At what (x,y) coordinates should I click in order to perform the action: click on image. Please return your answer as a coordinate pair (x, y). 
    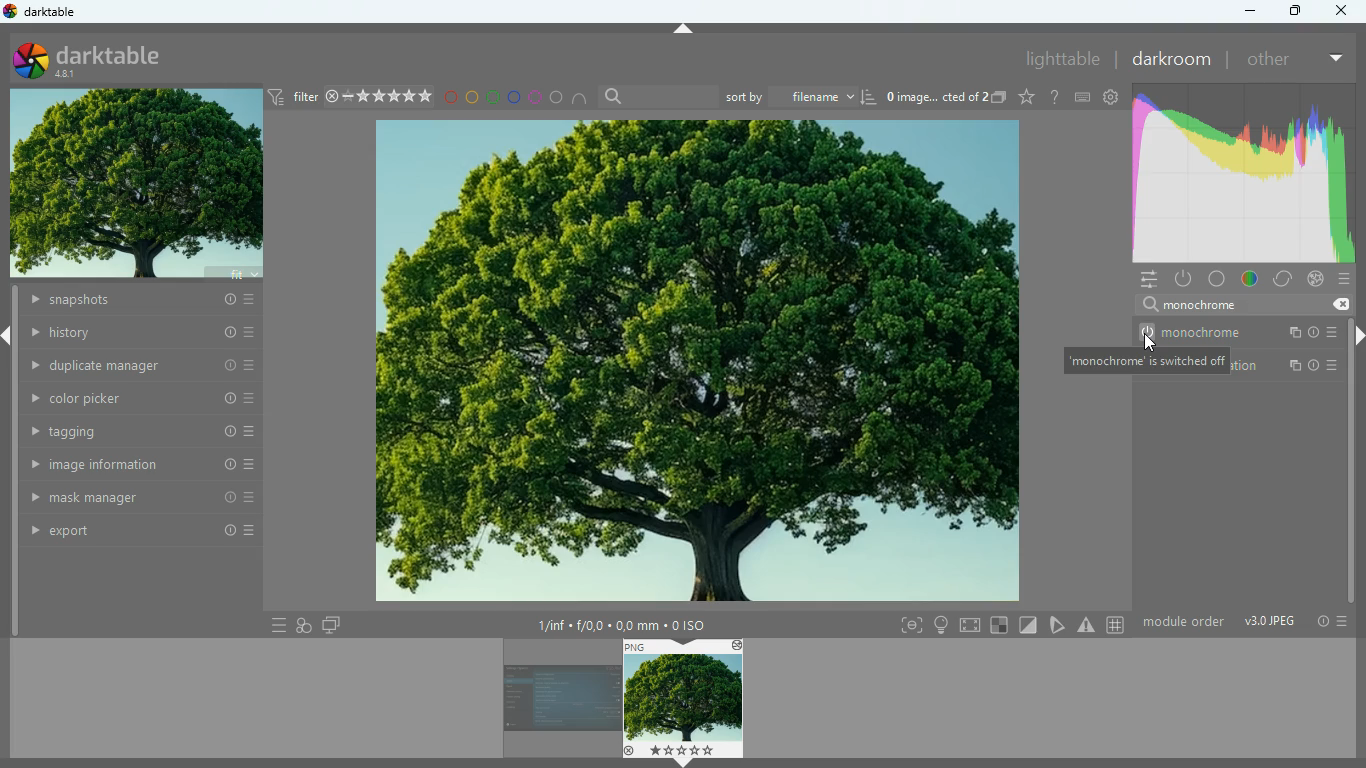
    Looking at the image, I should click on (134, 182).